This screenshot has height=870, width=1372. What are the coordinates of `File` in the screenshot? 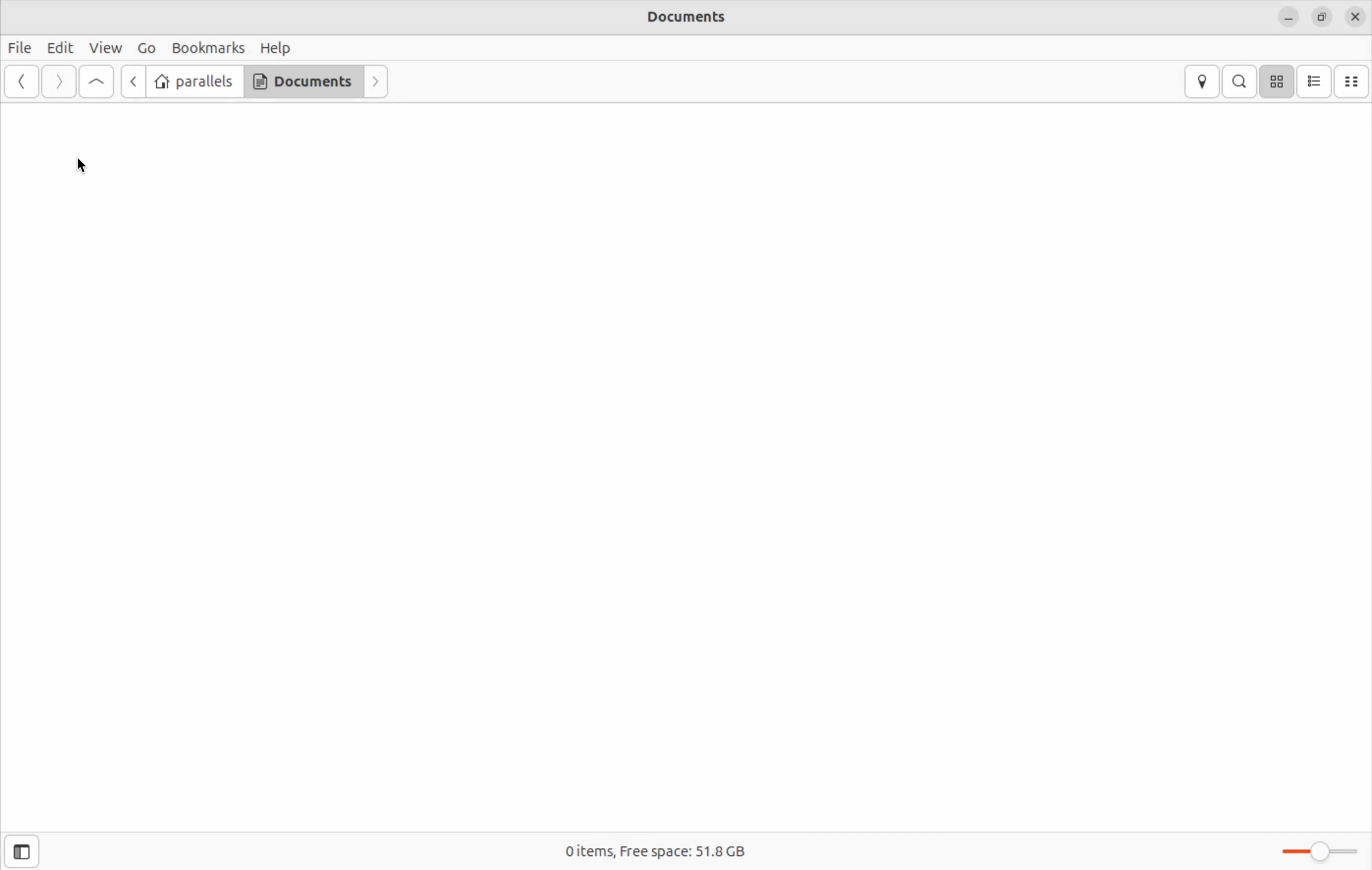 It's located at (21, 49).